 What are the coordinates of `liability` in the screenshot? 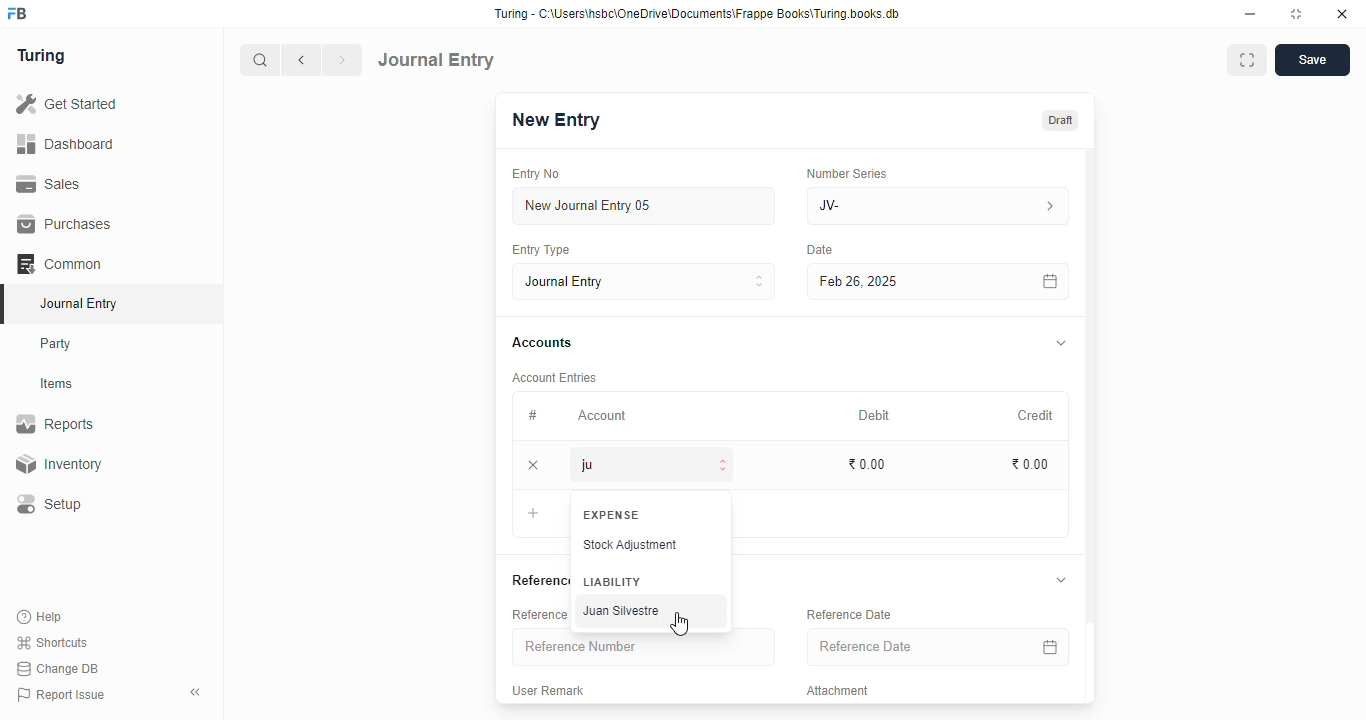 It's located at (612, 582).